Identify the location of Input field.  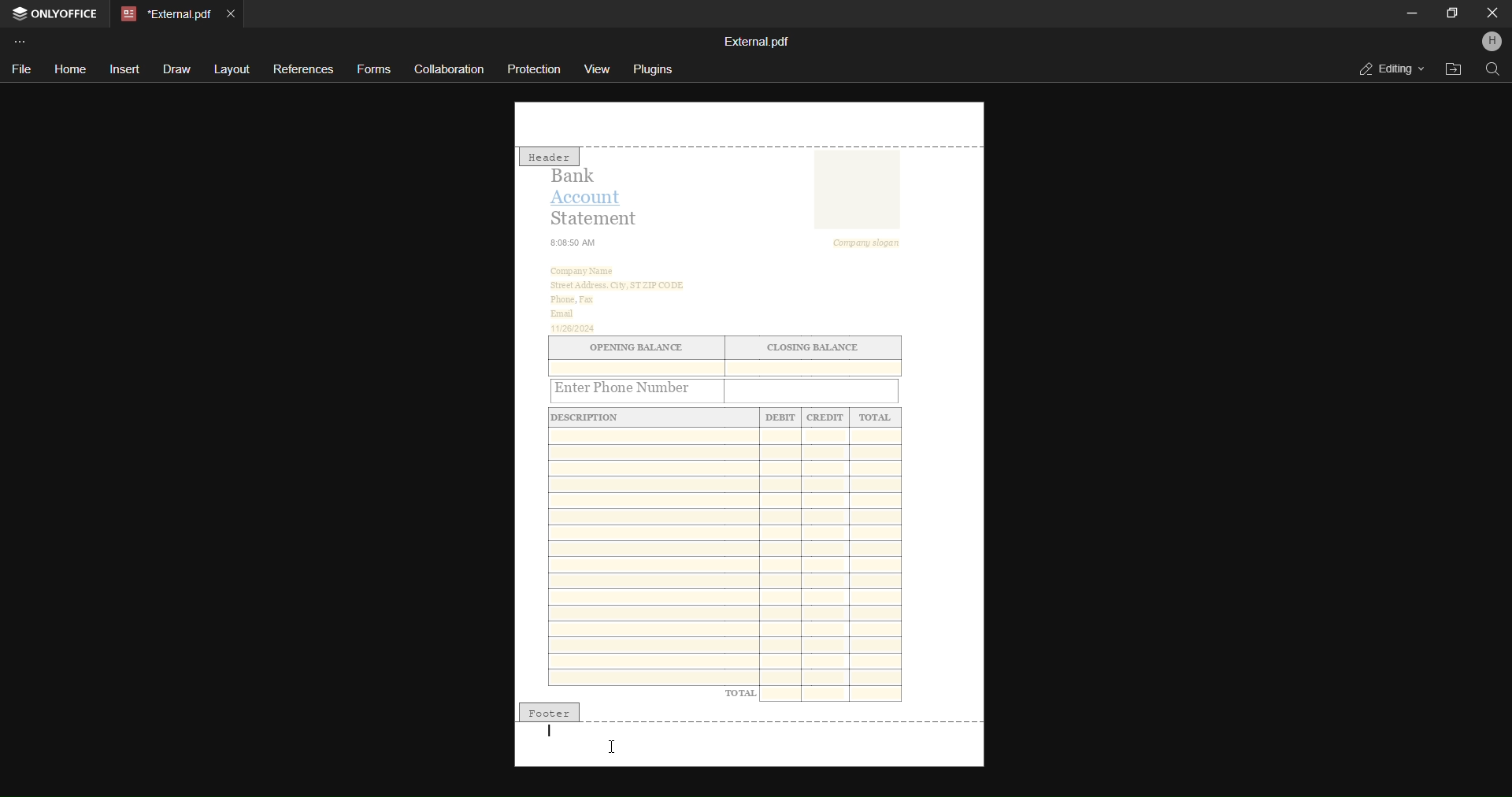
(813, 390).